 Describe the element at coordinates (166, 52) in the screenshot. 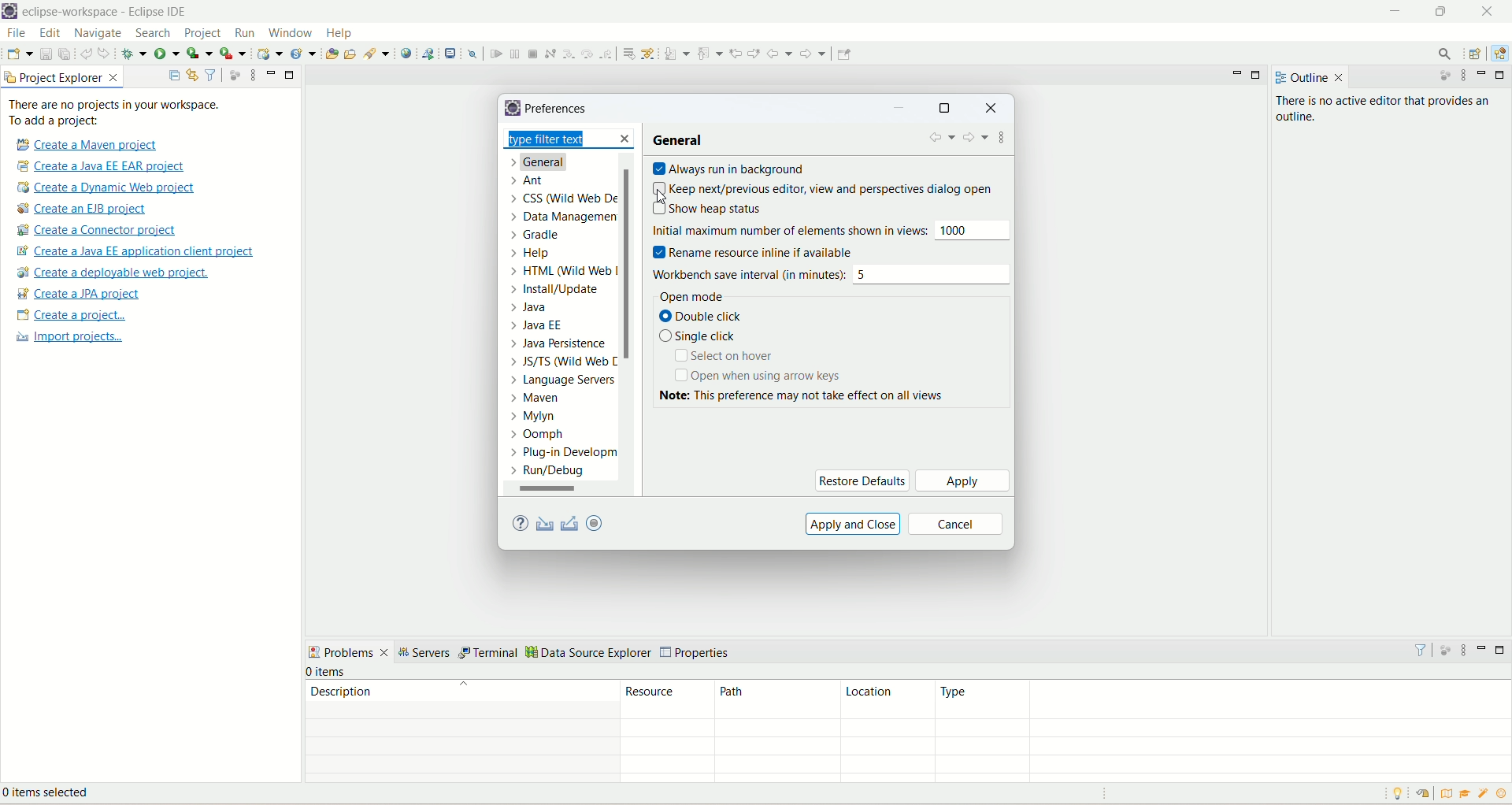

I see `run` at that location.